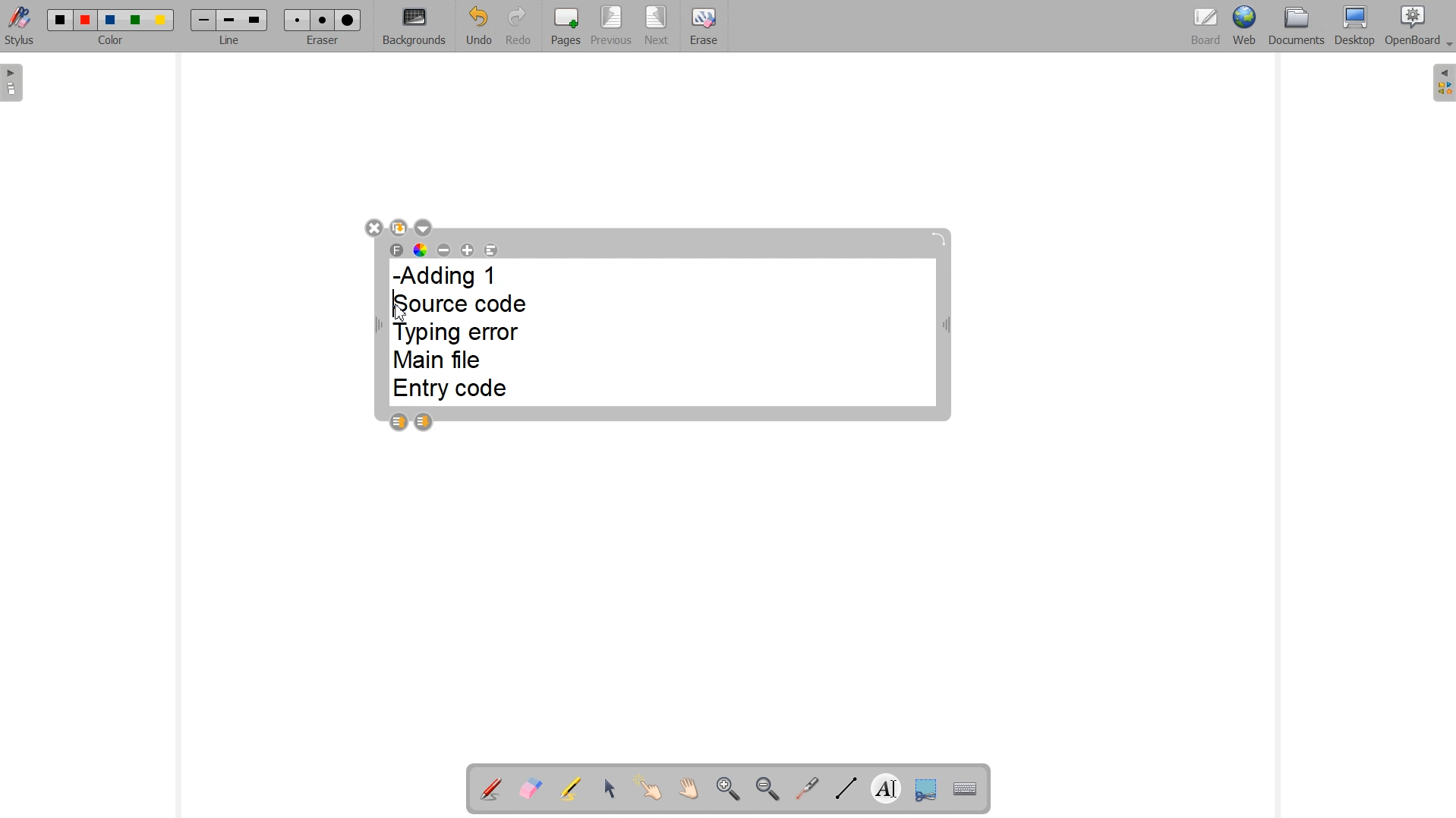  What do you see at coordinates (137, 20) in the screenshot?
I see `Color 4` at bounding box center [137, 20].